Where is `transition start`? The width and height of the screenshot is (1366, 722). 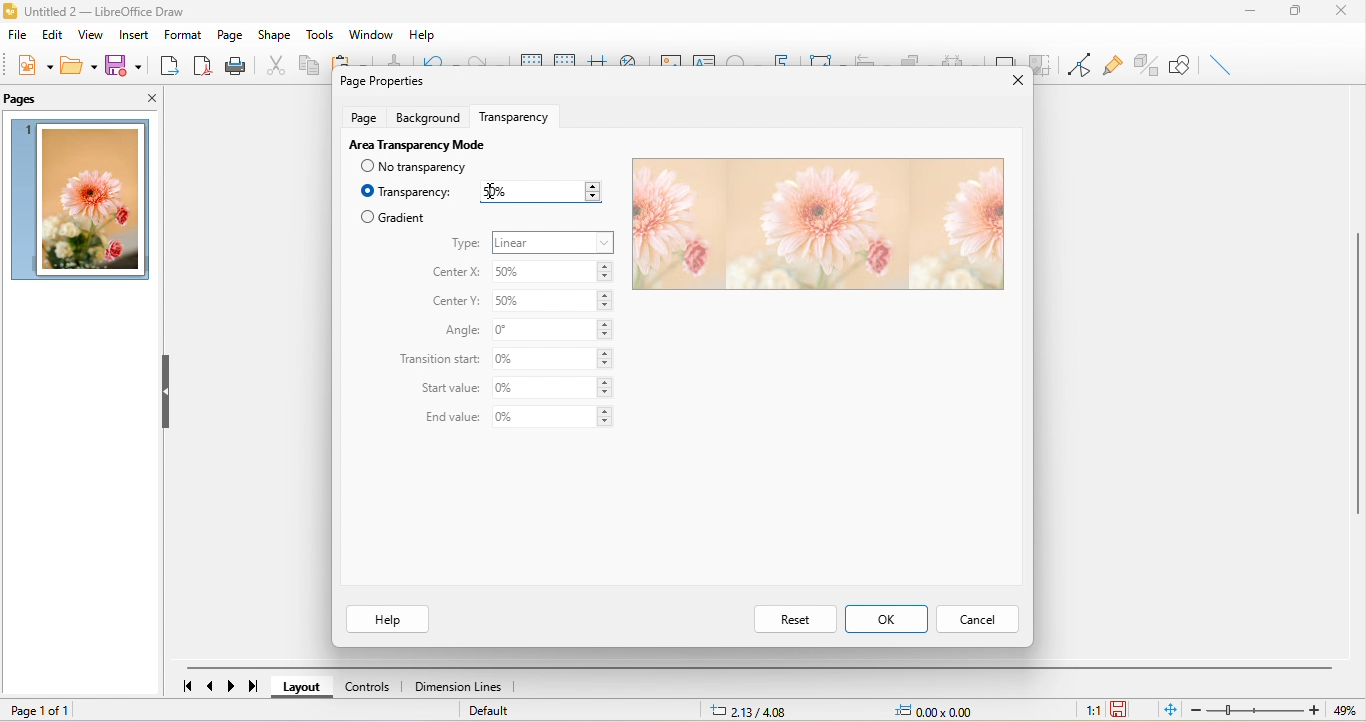
transition start is located at coordinates (440, 360).